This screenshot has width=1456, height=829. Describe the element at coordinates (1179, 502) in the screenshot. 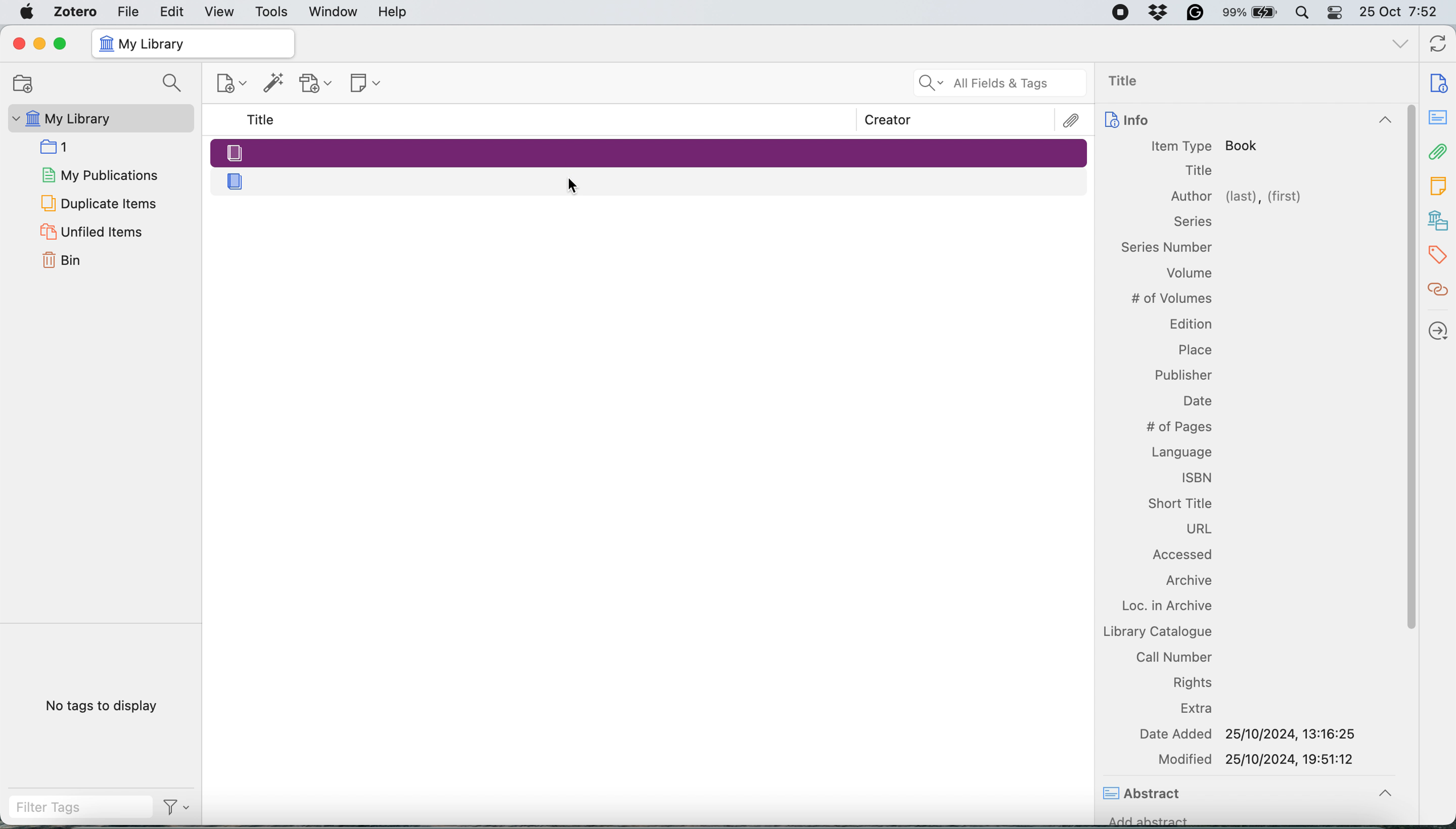

I see `Short Title` at that location.